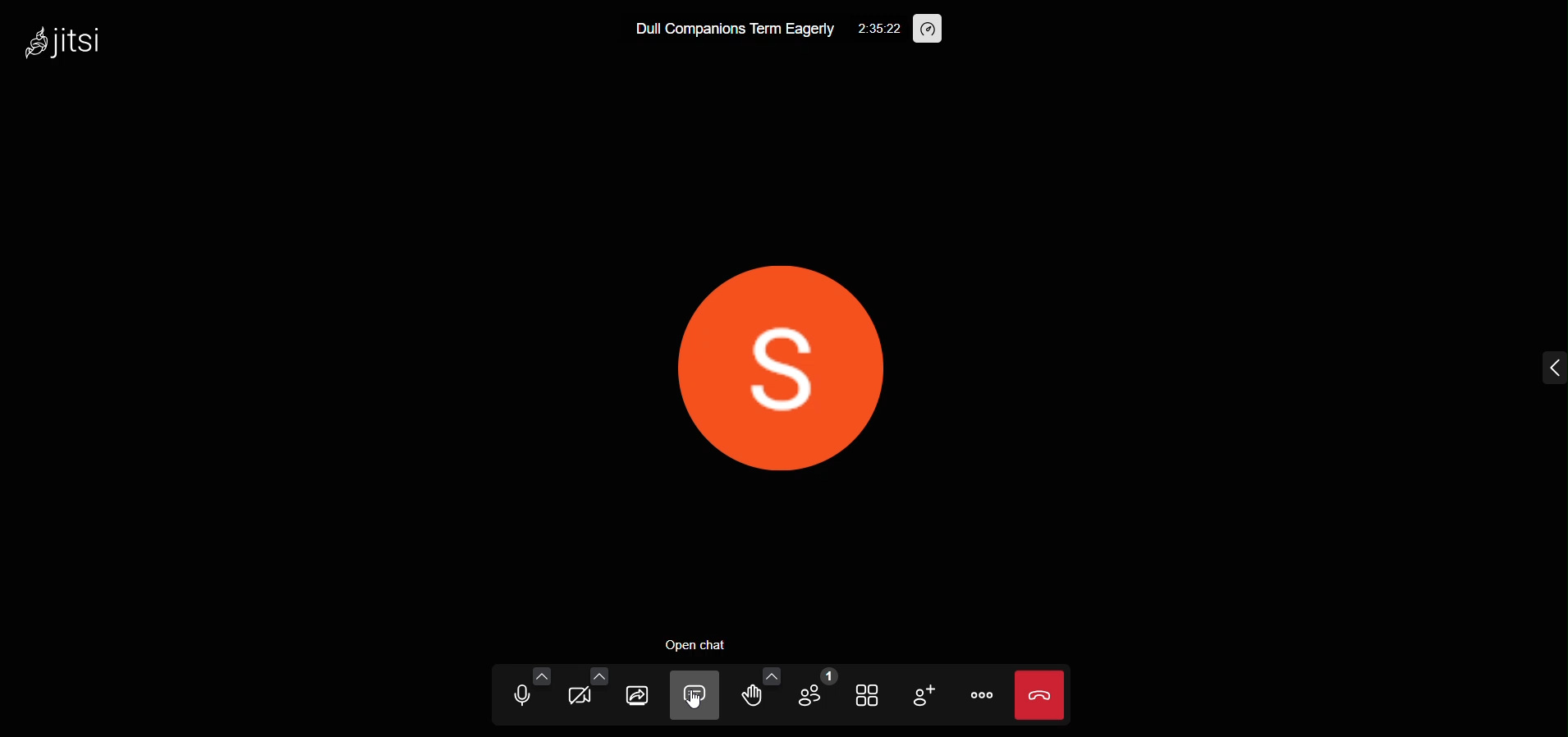  Describe the element at coordinates (582, 697) in the screenshot. I see `video` at that location.